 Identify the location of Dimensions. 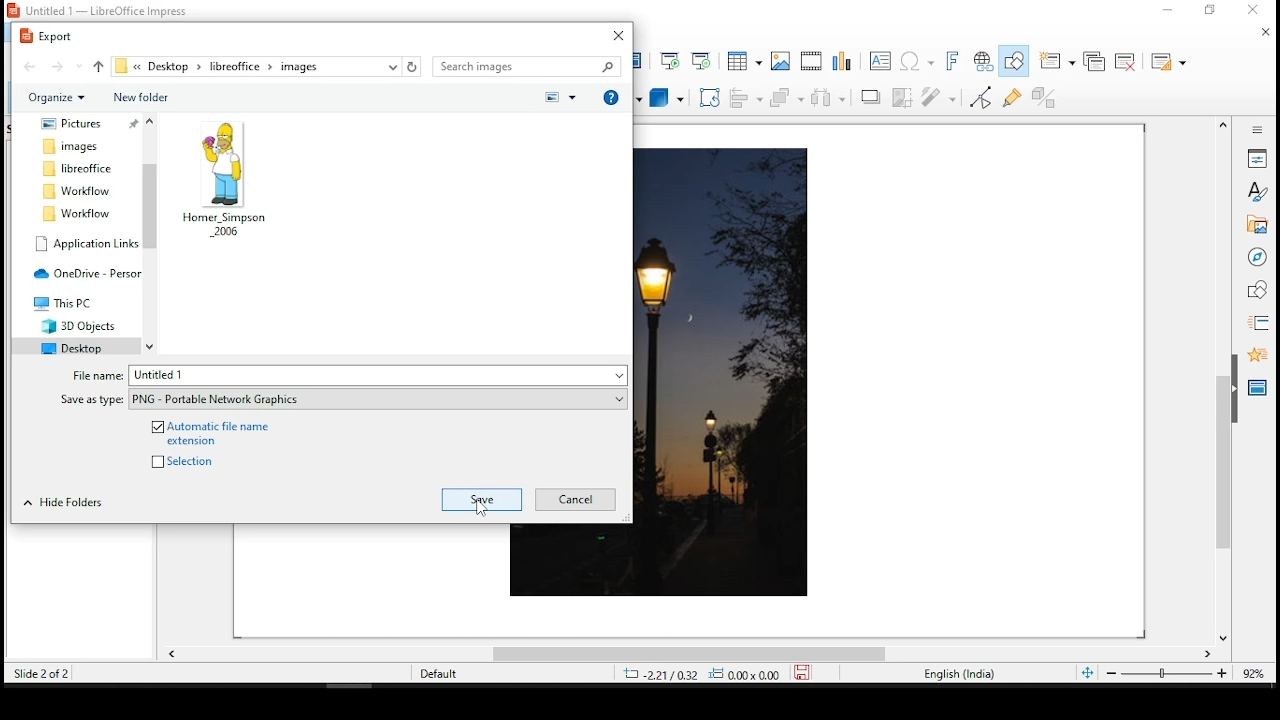
(722, 674).